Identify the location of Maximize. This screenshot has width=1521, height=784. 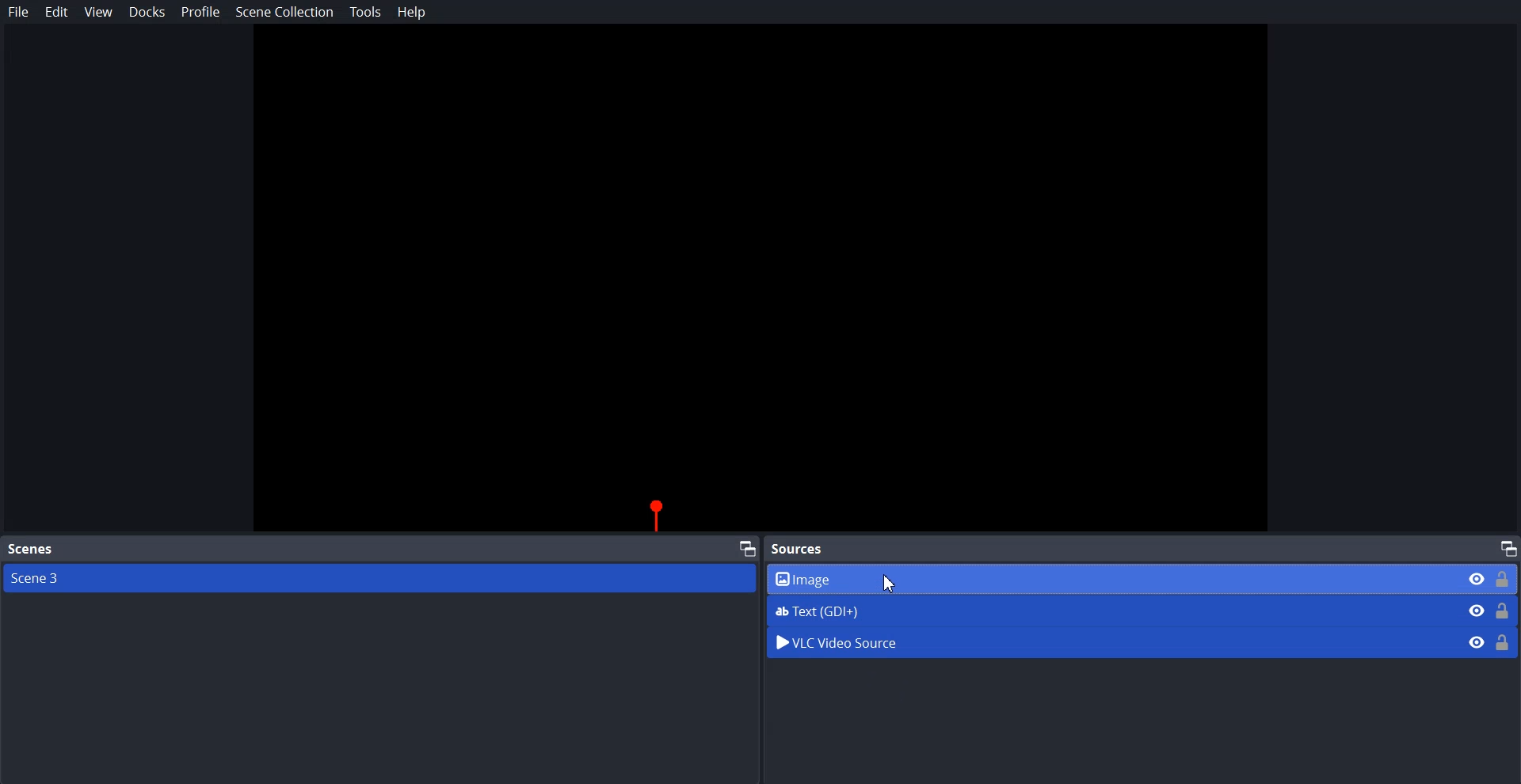
(1508, 547).